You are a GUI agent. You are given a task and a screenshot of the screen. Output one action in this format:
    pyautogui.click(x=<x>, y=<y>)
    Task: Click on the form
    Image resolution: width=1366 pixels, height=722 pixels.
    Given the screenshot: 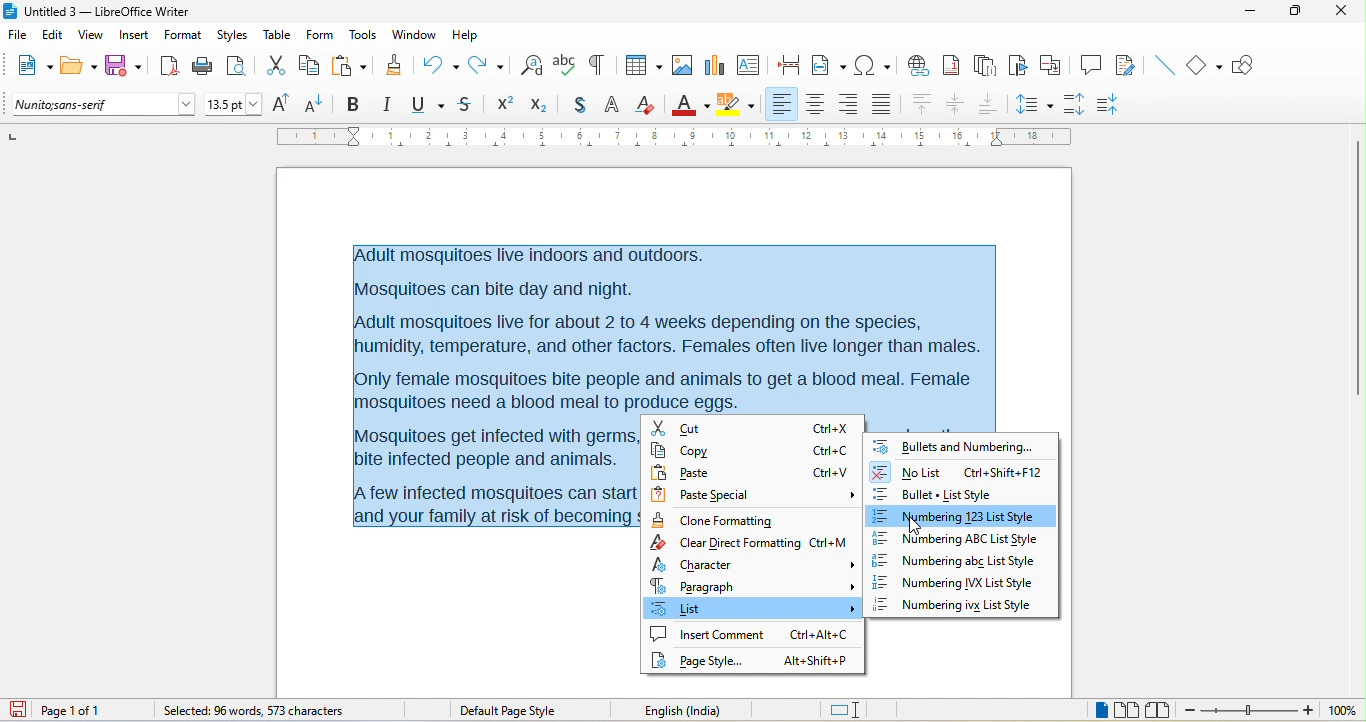 What is the action you would take?
    pyautogui.click(x=321, y=36)
    